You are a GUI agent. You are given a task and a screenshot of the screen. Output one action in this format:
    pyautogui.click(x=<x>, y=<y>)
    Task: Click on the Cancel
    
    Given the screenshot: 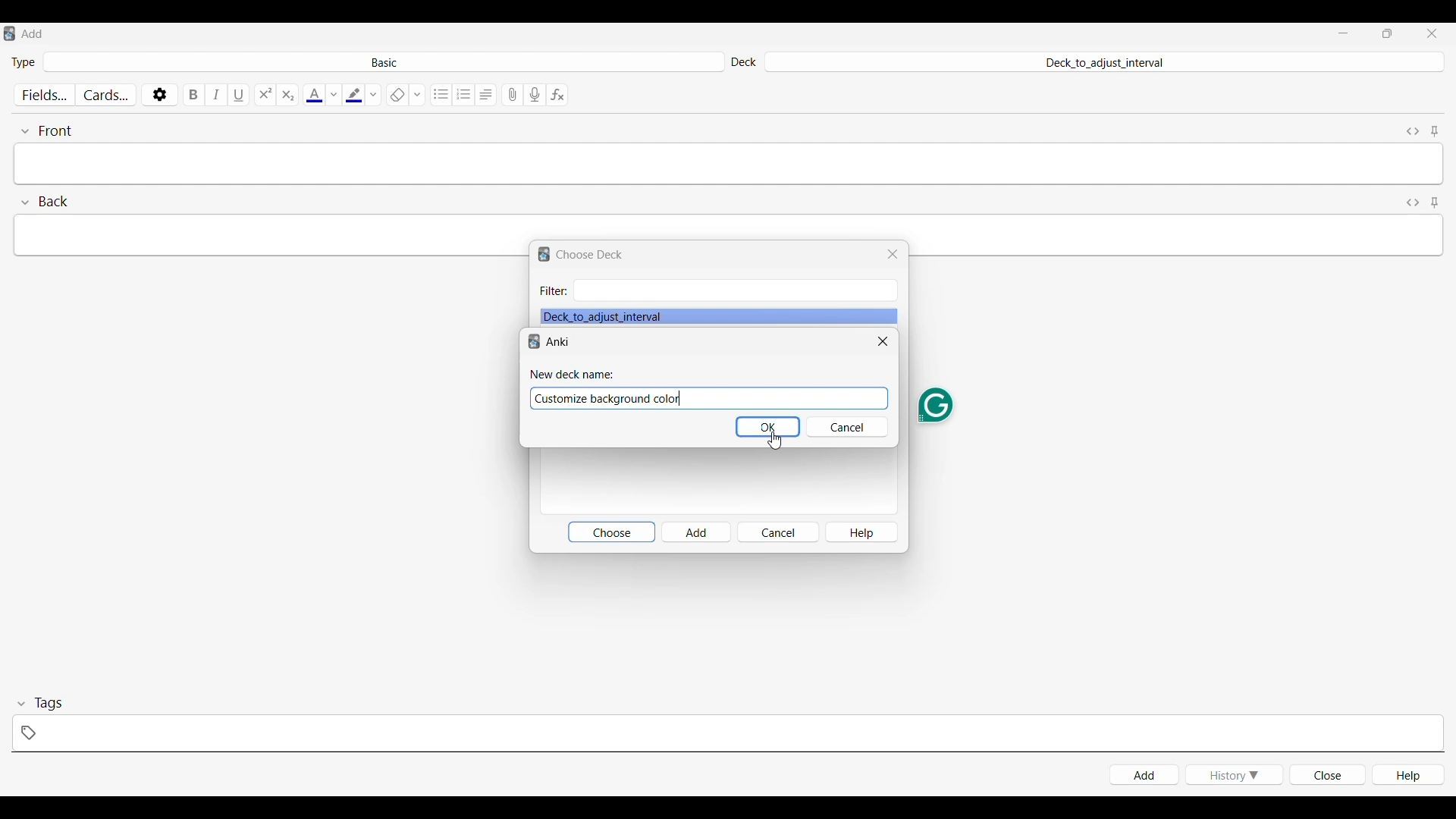 What is the action you would take?
    pyautogui.click(x=849, y=427)
    